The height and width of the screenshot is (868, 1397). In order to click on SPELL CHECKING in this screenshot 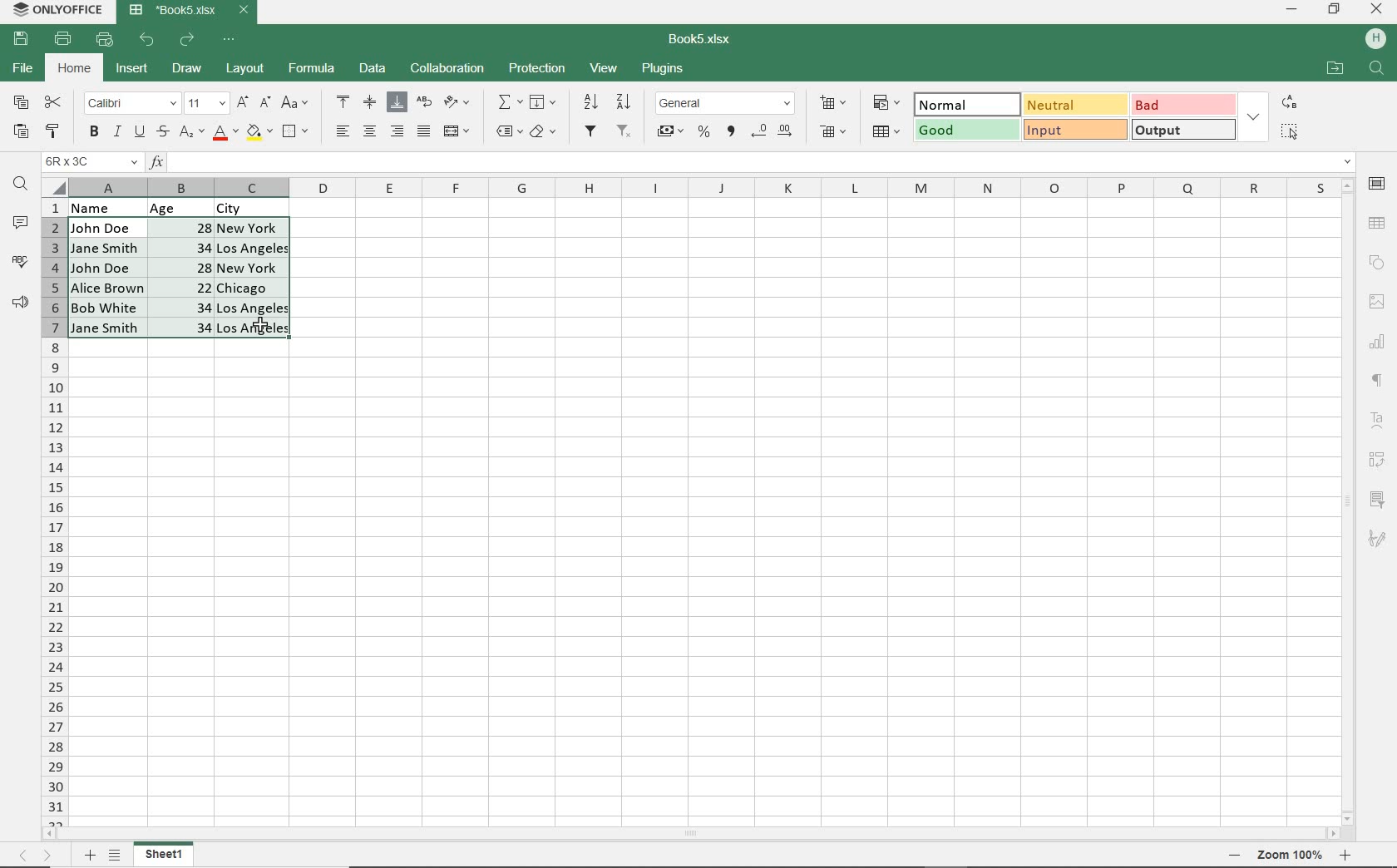, I will do `click(20, 262)`.